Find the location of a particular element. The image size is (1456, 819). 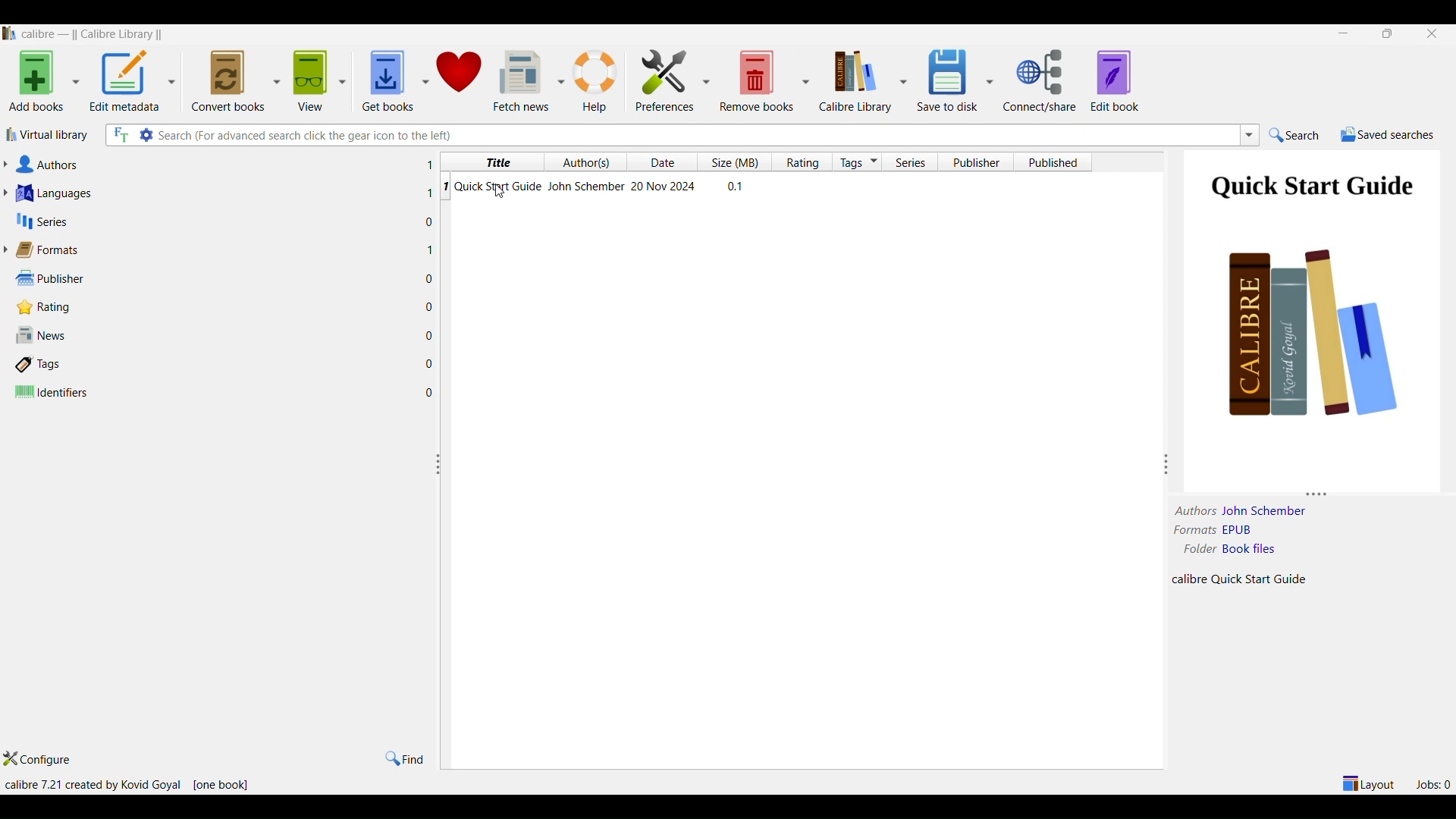

series is located at coordinates (916, 162).